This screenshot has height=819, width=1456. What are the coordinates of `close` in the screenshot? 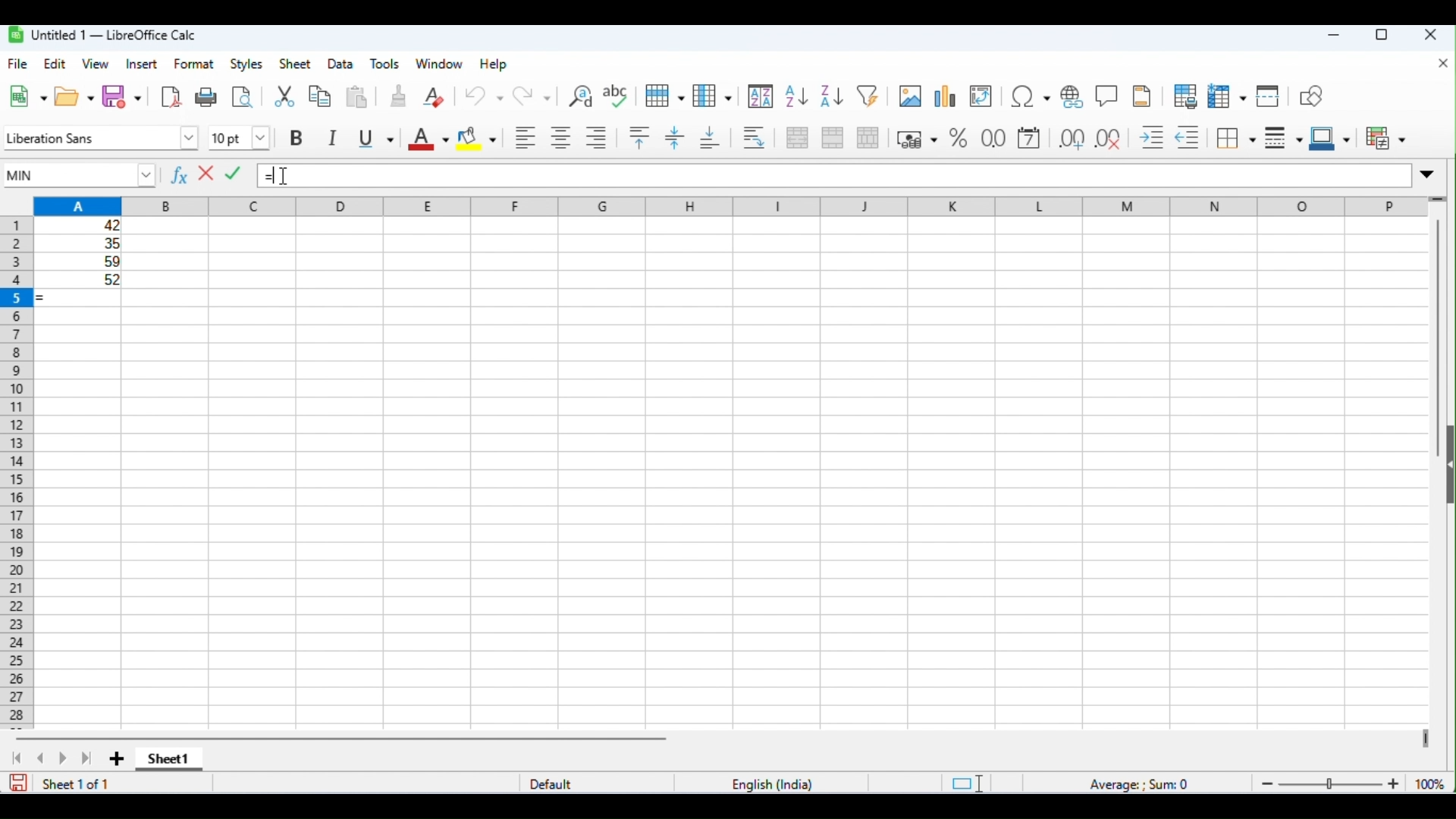 It's located at (1443, 64).